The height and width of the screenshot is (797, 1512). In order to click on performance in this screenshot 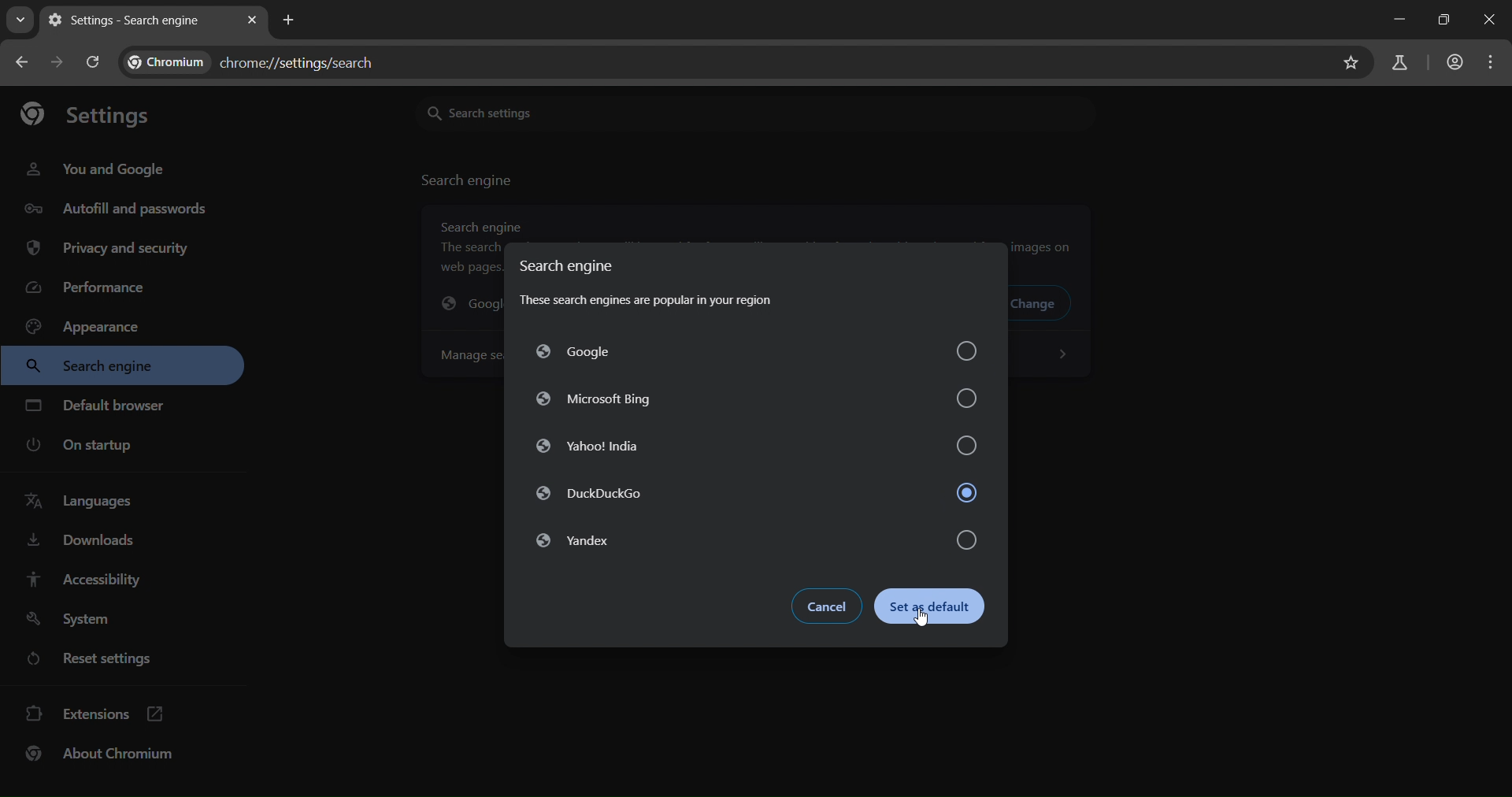, I will do `click(91, 287)`.